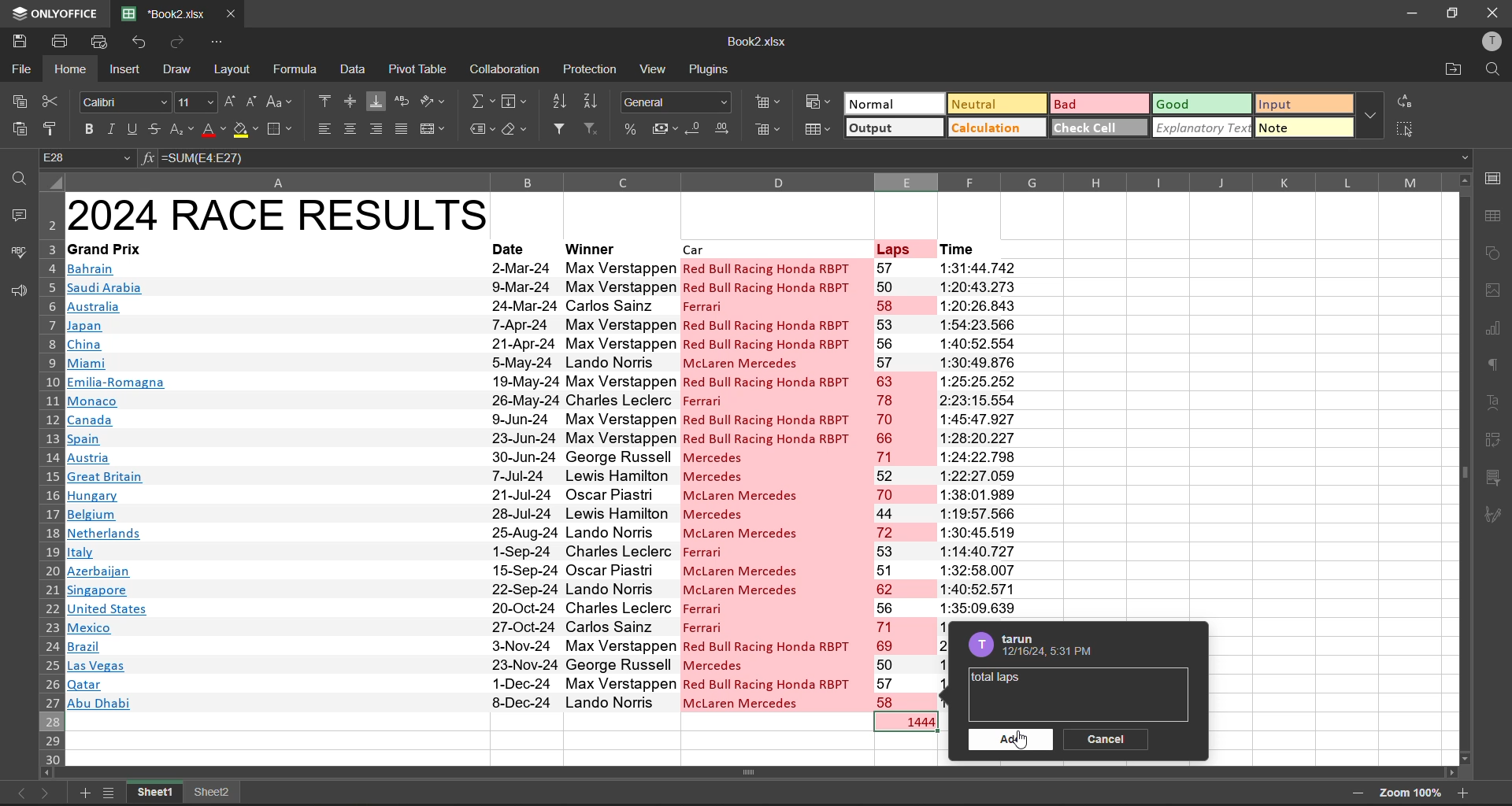  What do you see at coordinates (1299, 128) in the screenshot?
I see `note` at bounding box center [1299, 128].